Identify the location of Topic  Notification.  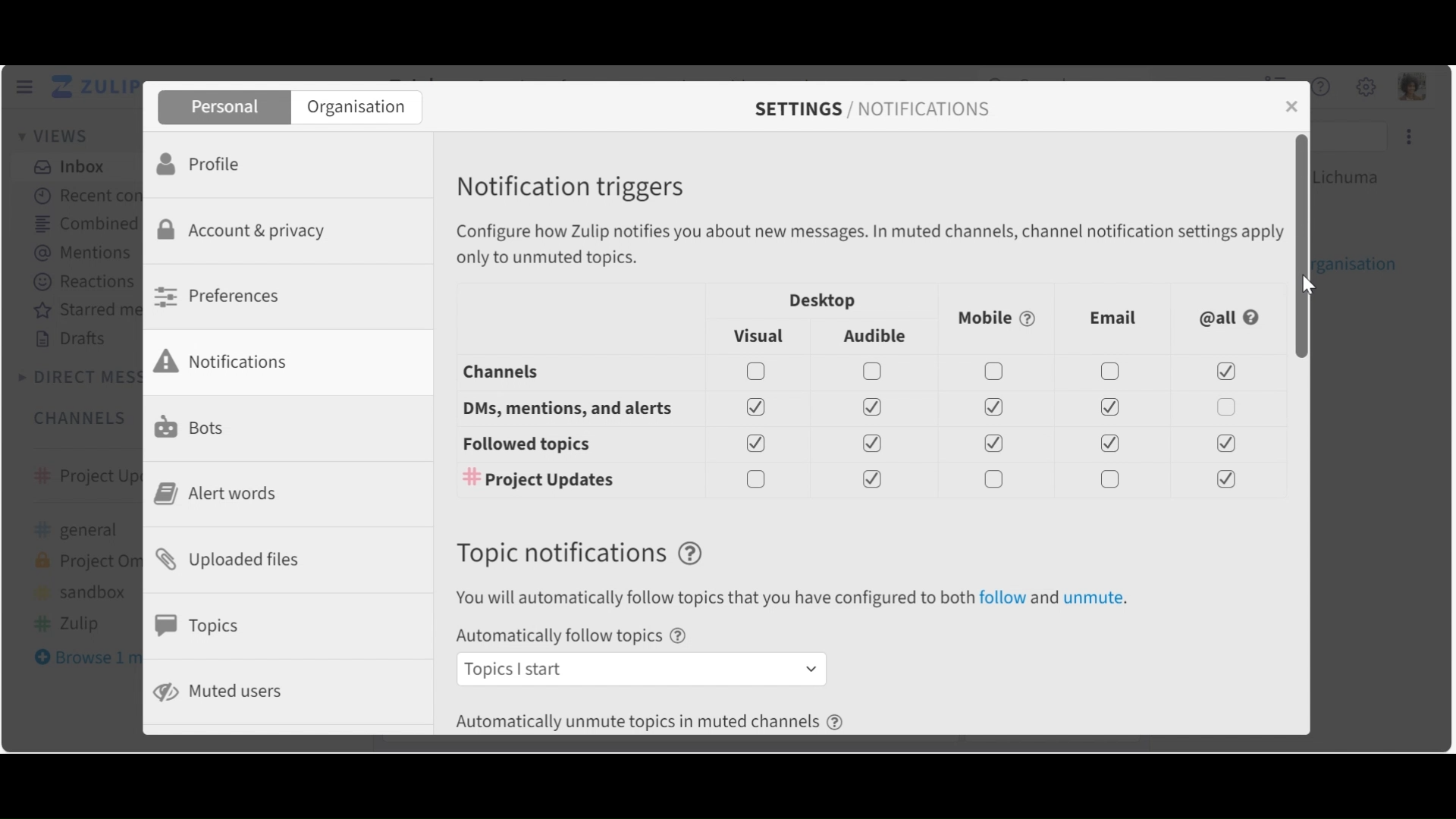
(583, 555).